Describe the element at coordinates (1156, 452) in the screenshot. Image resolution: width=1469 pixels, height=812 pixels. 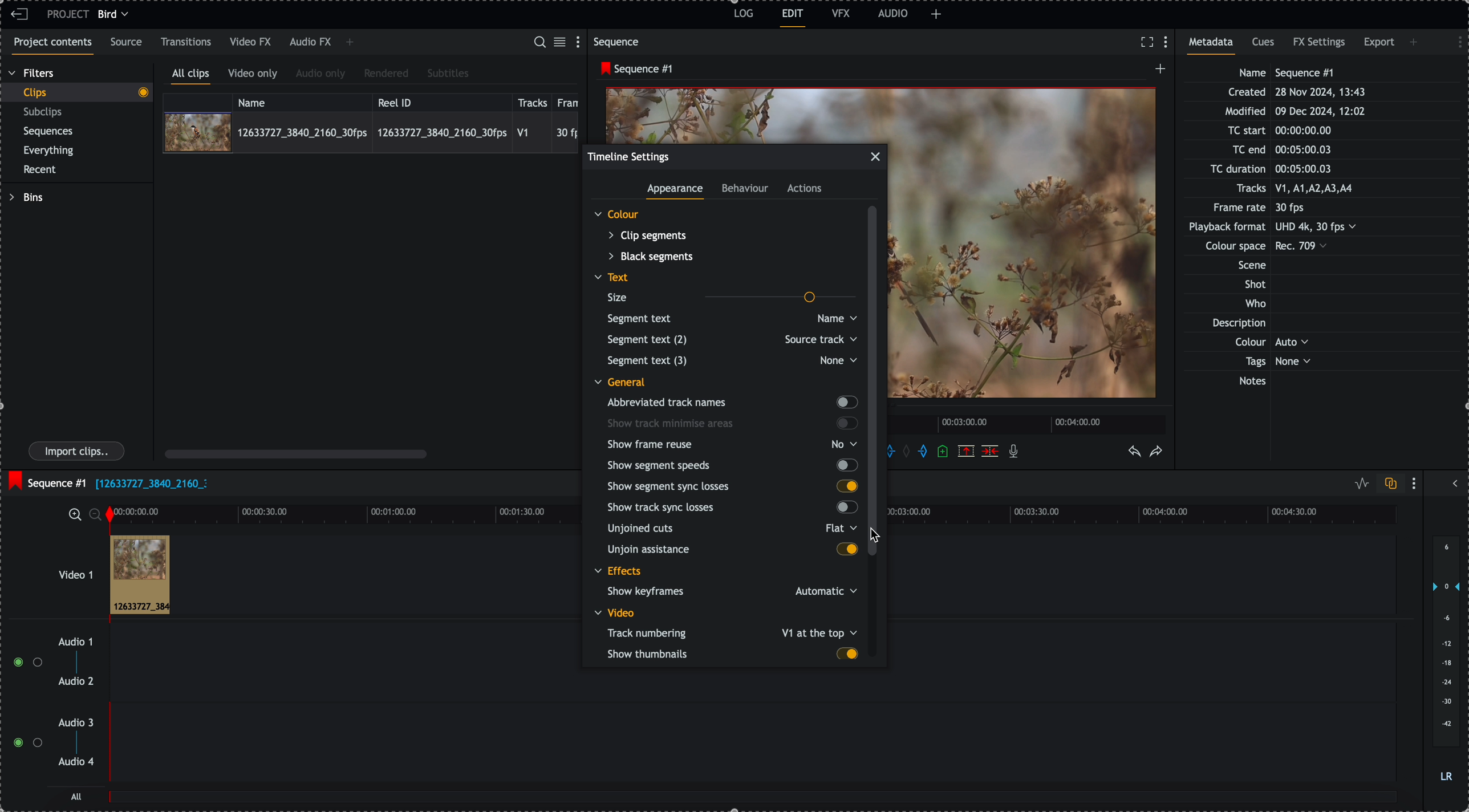
I see `redo` at that location.